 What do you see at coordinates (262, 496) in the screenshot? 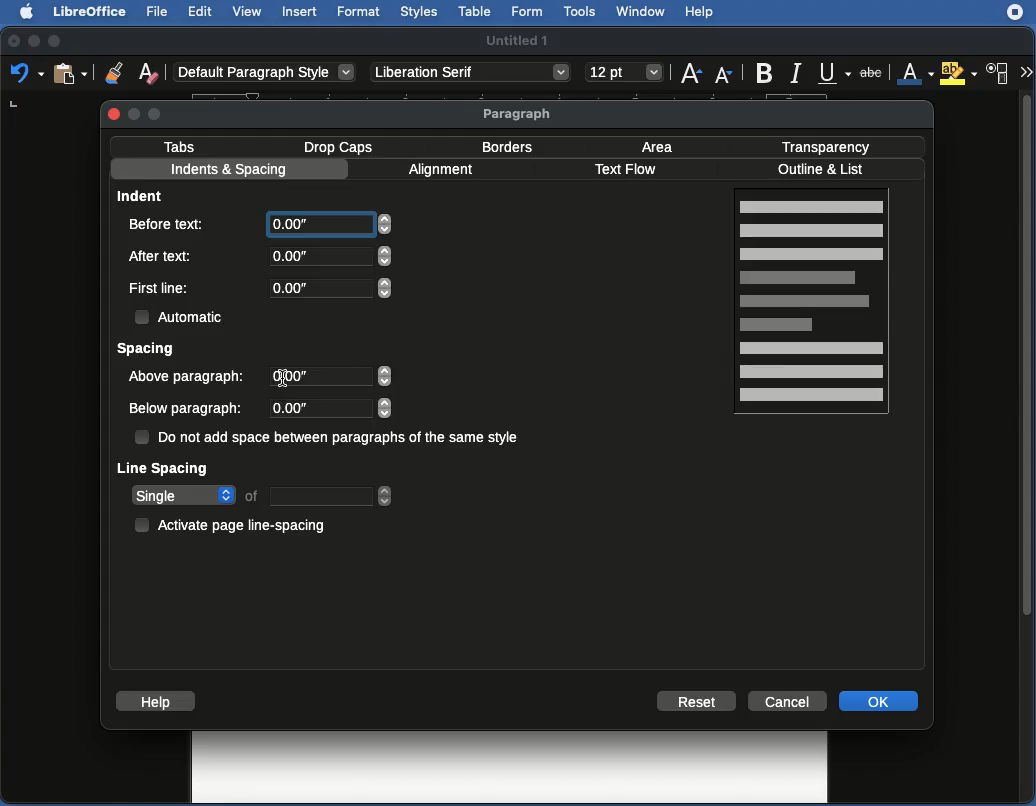
I see `Single` at bounding box center [262, 496].